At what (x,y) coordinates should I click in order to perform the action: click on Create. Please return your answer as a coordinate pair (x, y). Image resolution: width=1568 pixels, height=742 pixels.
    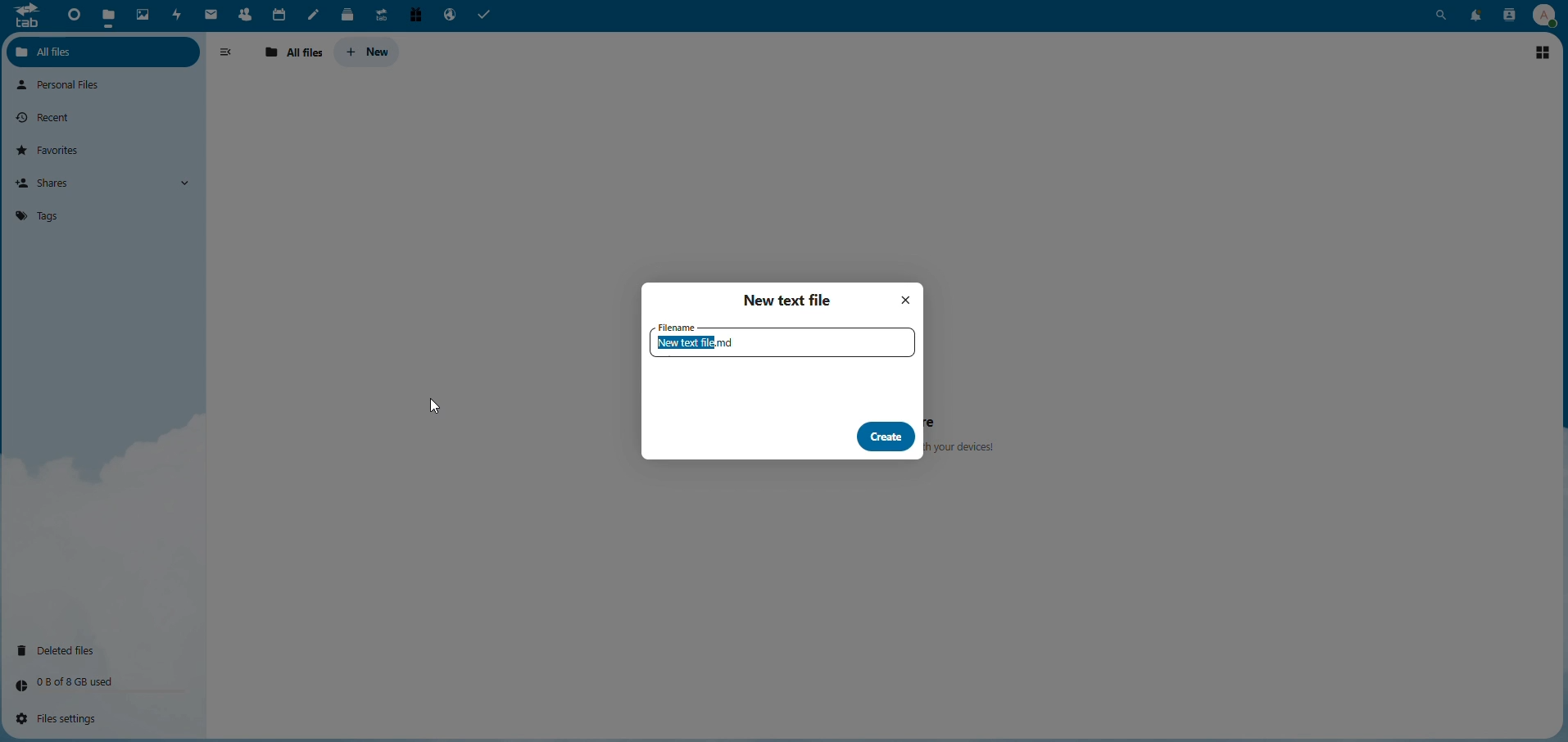
    Looking at the image, I should click on (885, 436).